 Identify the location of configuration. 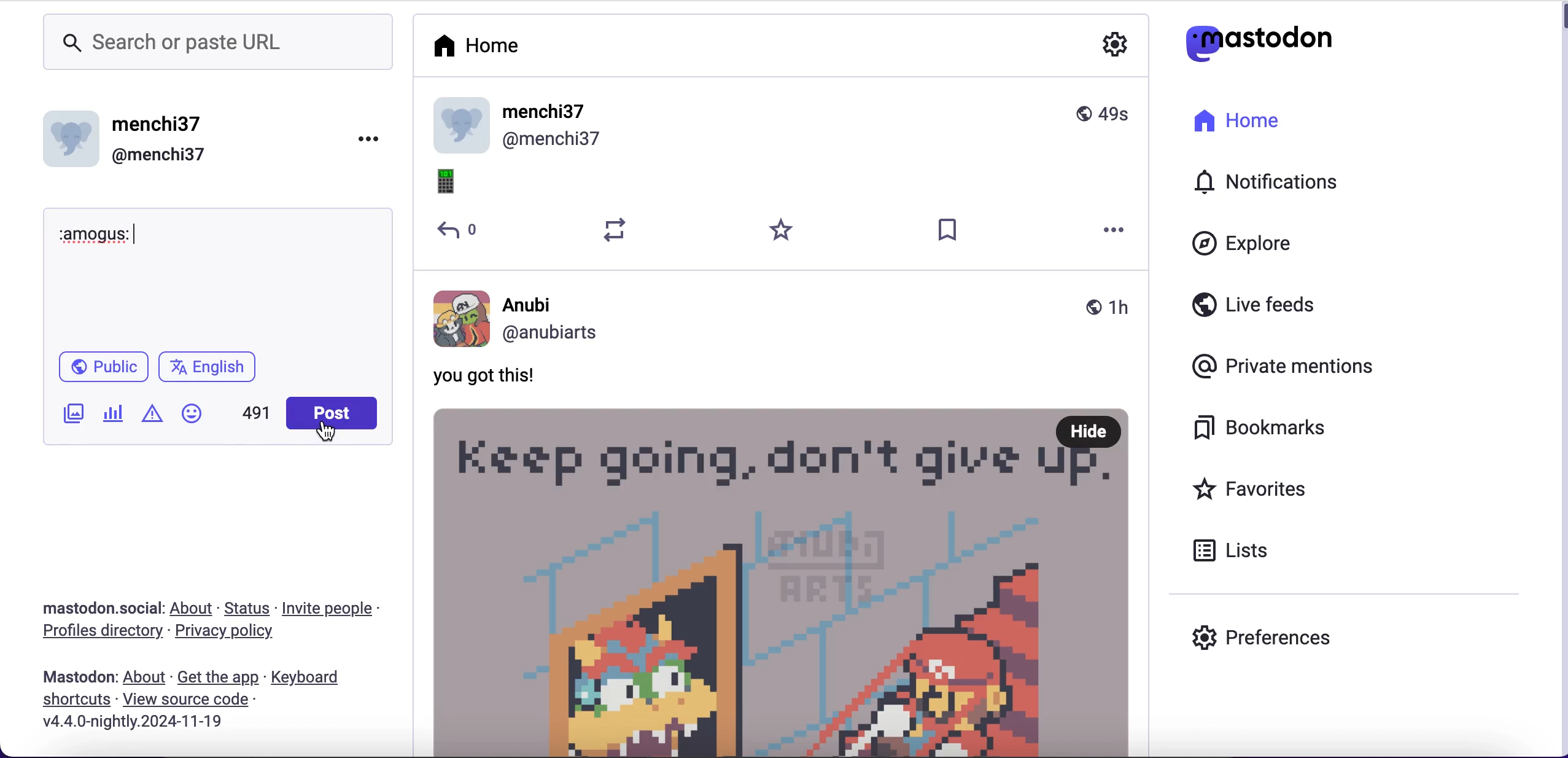
(1117, 47).